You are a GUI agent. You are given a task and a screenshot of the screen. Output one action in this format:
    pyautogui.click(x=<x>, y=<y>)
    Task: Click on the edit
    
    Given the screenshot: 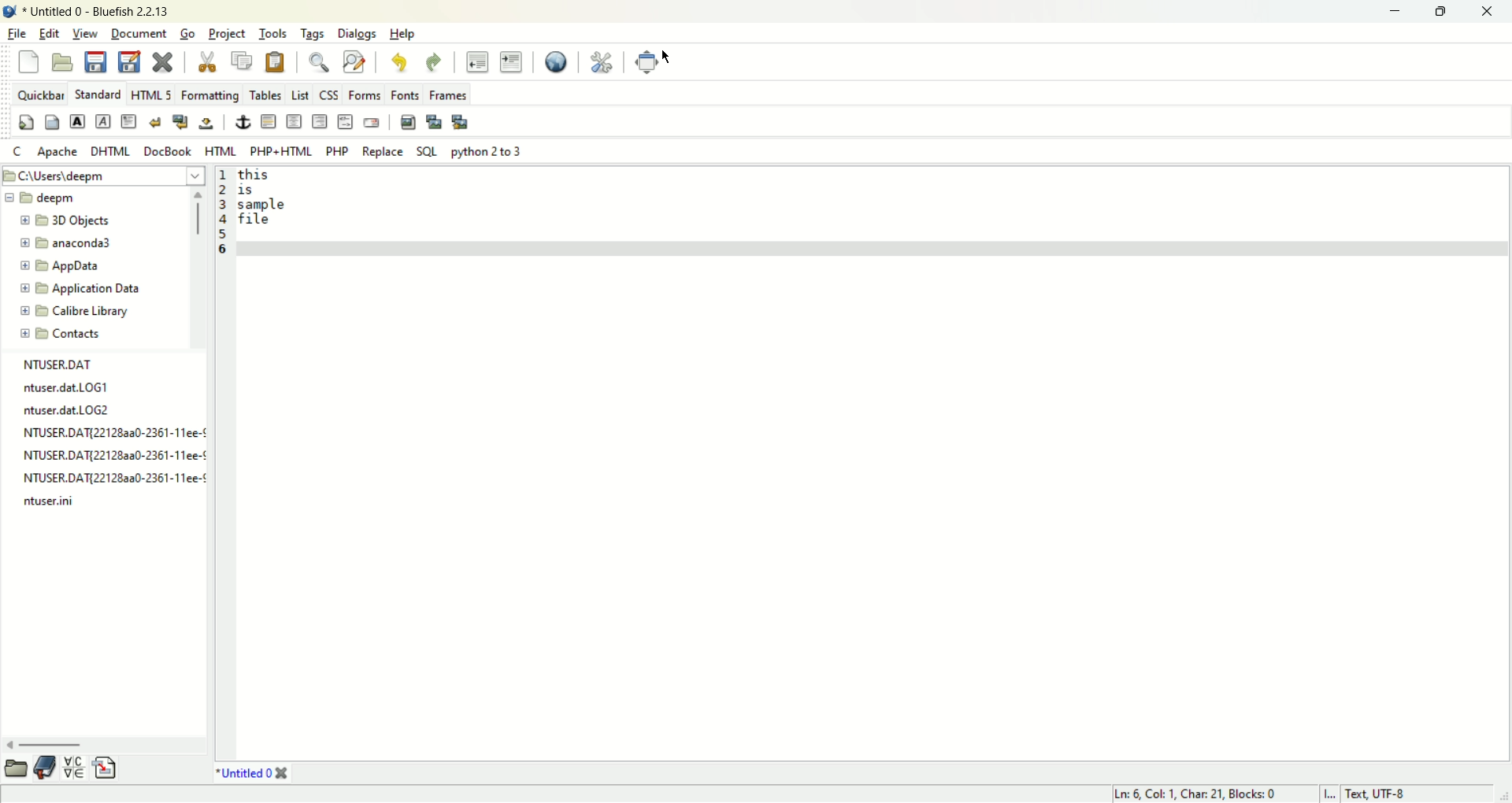 What is the action you would take?
    pyautogui.click(x=50, y=33)
    